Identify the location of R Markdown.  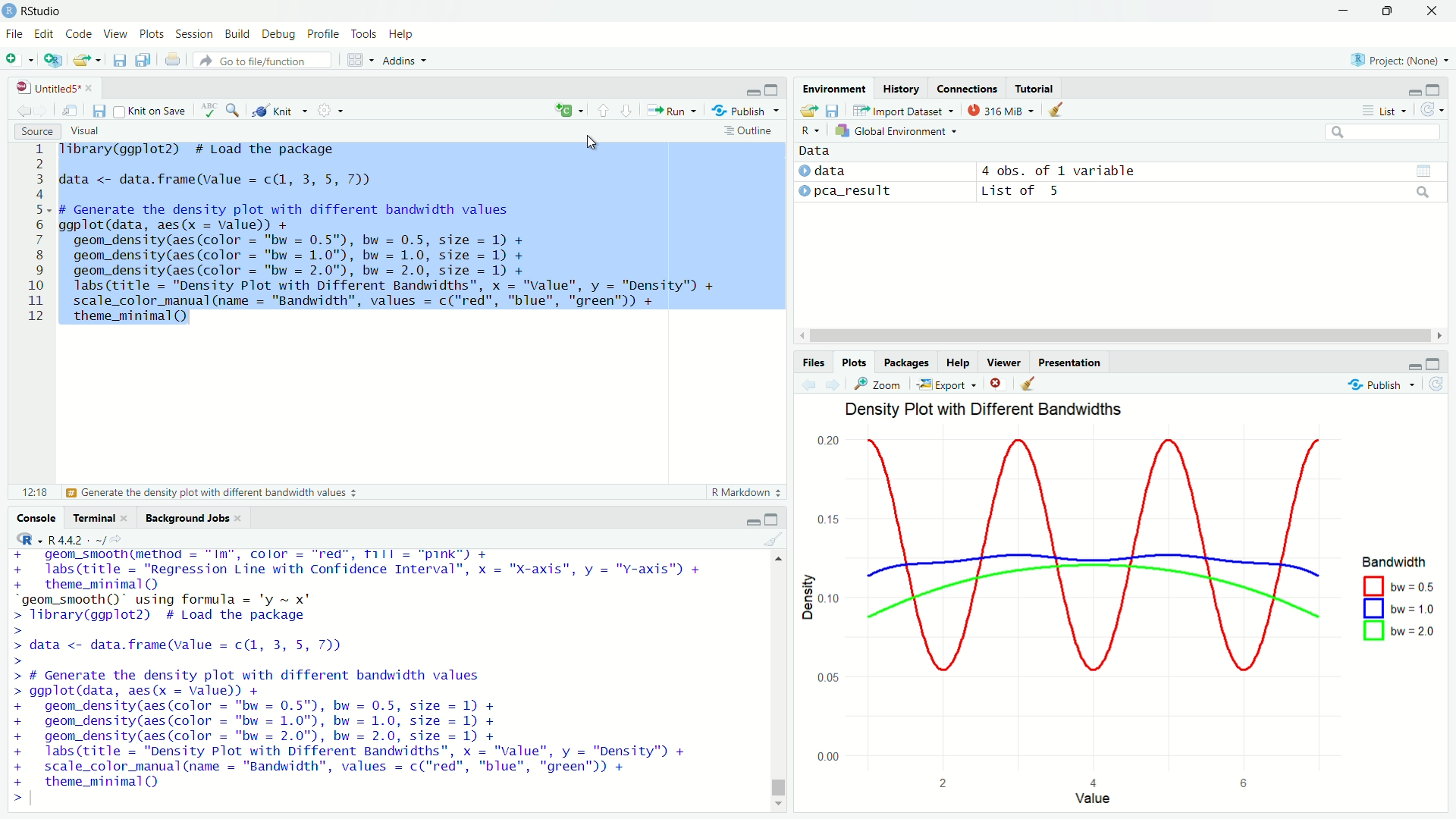
(748, 492).